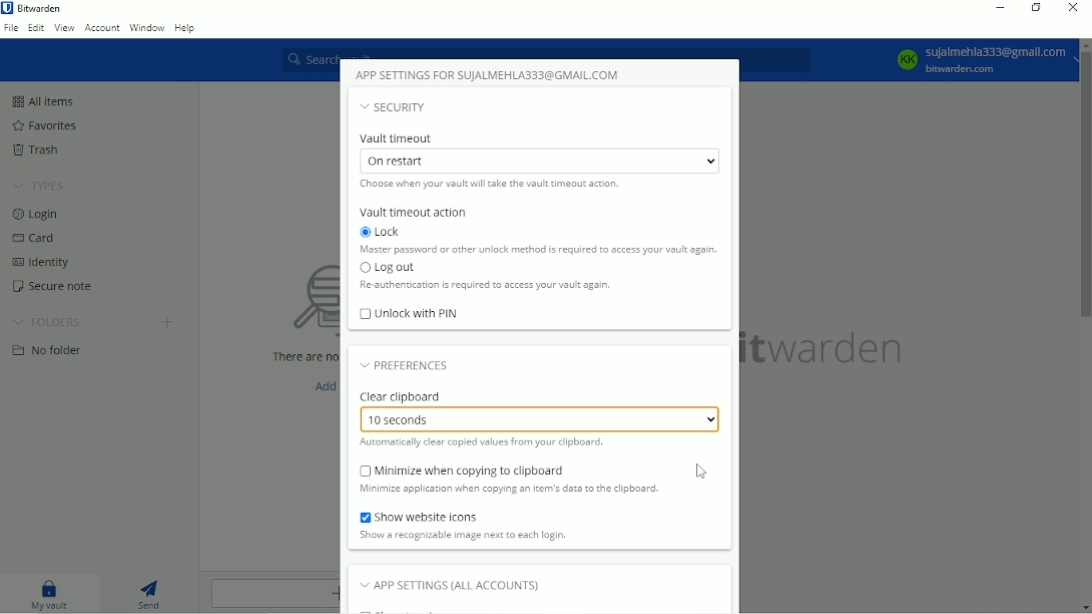 This screenshot has width=1092, height=614. I want to click on Show a recognizable image next to each login., so click(465, 537).